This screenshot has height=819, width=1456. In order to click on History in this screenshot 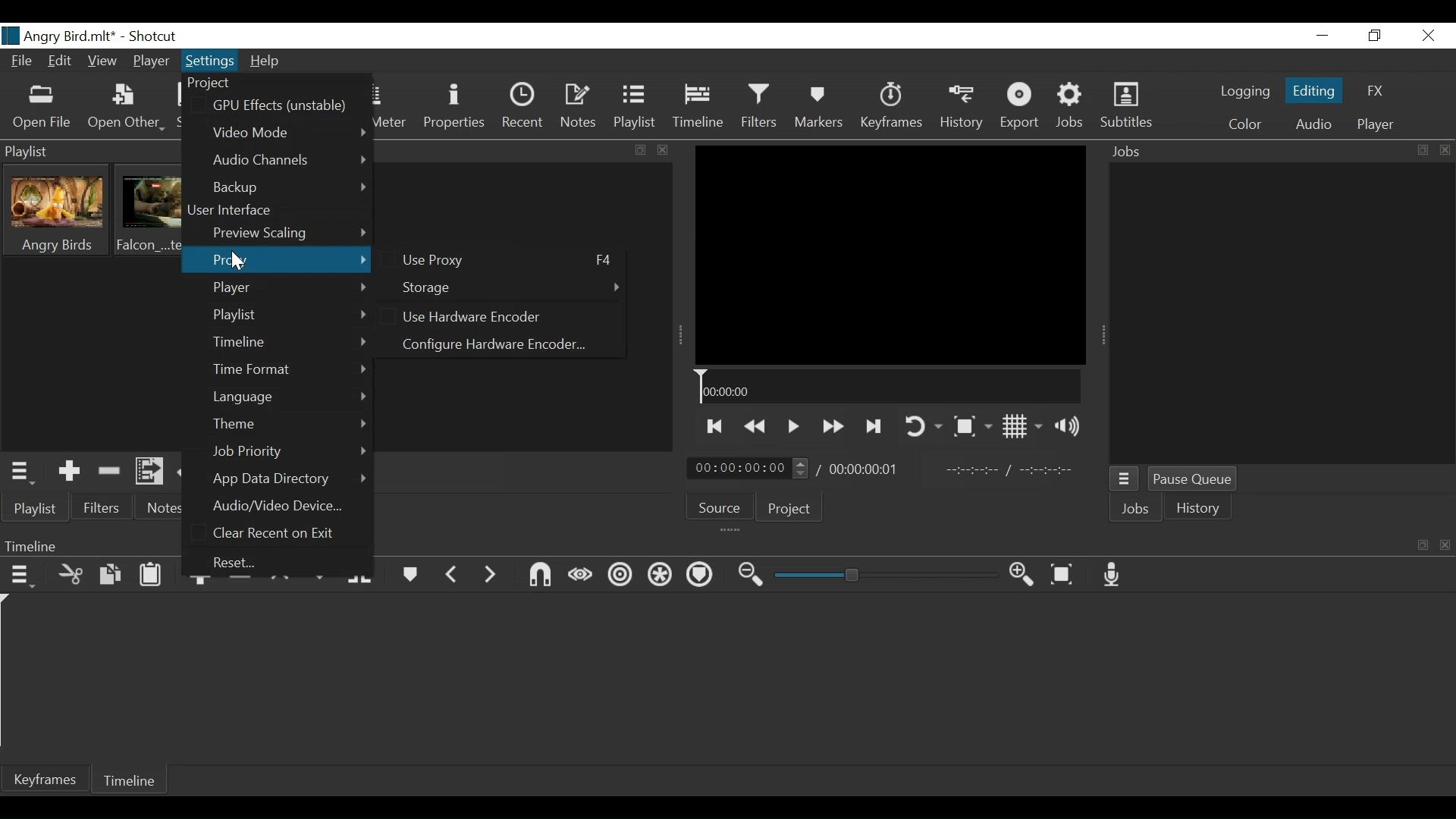, I will do `click(1199, 509)`.